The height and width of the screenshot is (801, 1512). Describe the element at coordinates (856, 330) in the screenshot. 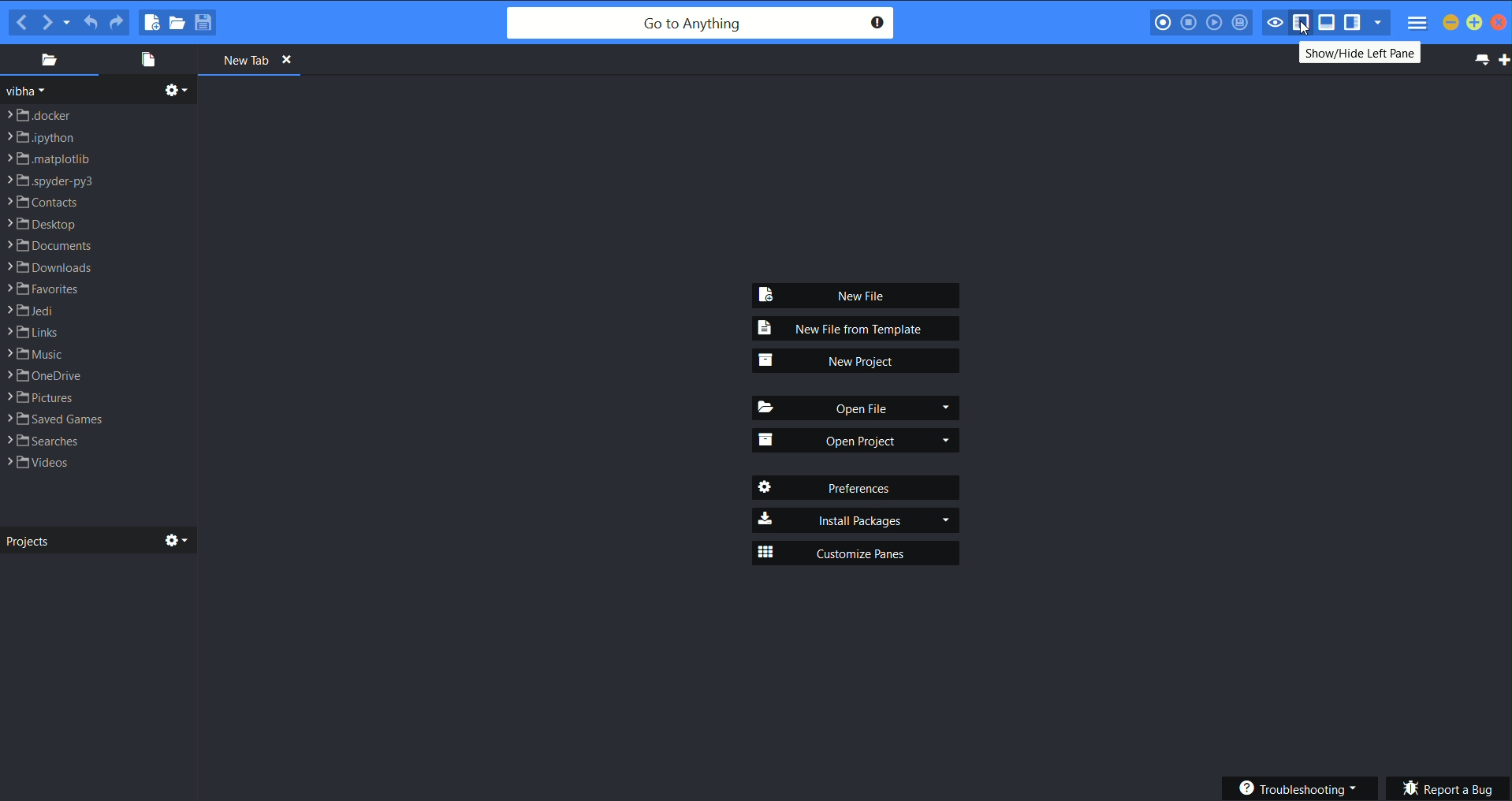

I see `new file from template` at that location.